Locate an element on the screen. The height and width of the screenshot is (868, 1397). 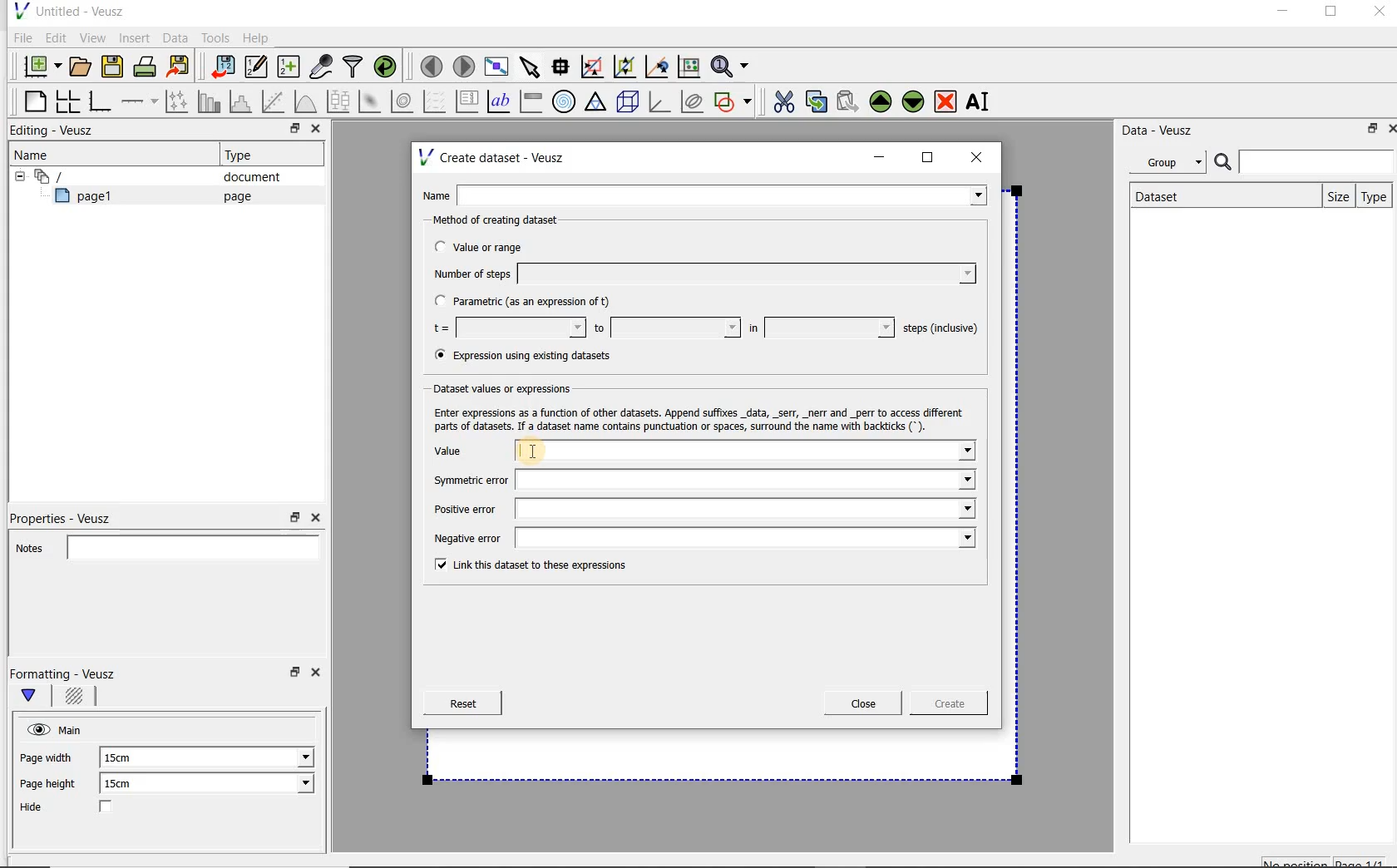
maximize is located at coordinates (928, 158).